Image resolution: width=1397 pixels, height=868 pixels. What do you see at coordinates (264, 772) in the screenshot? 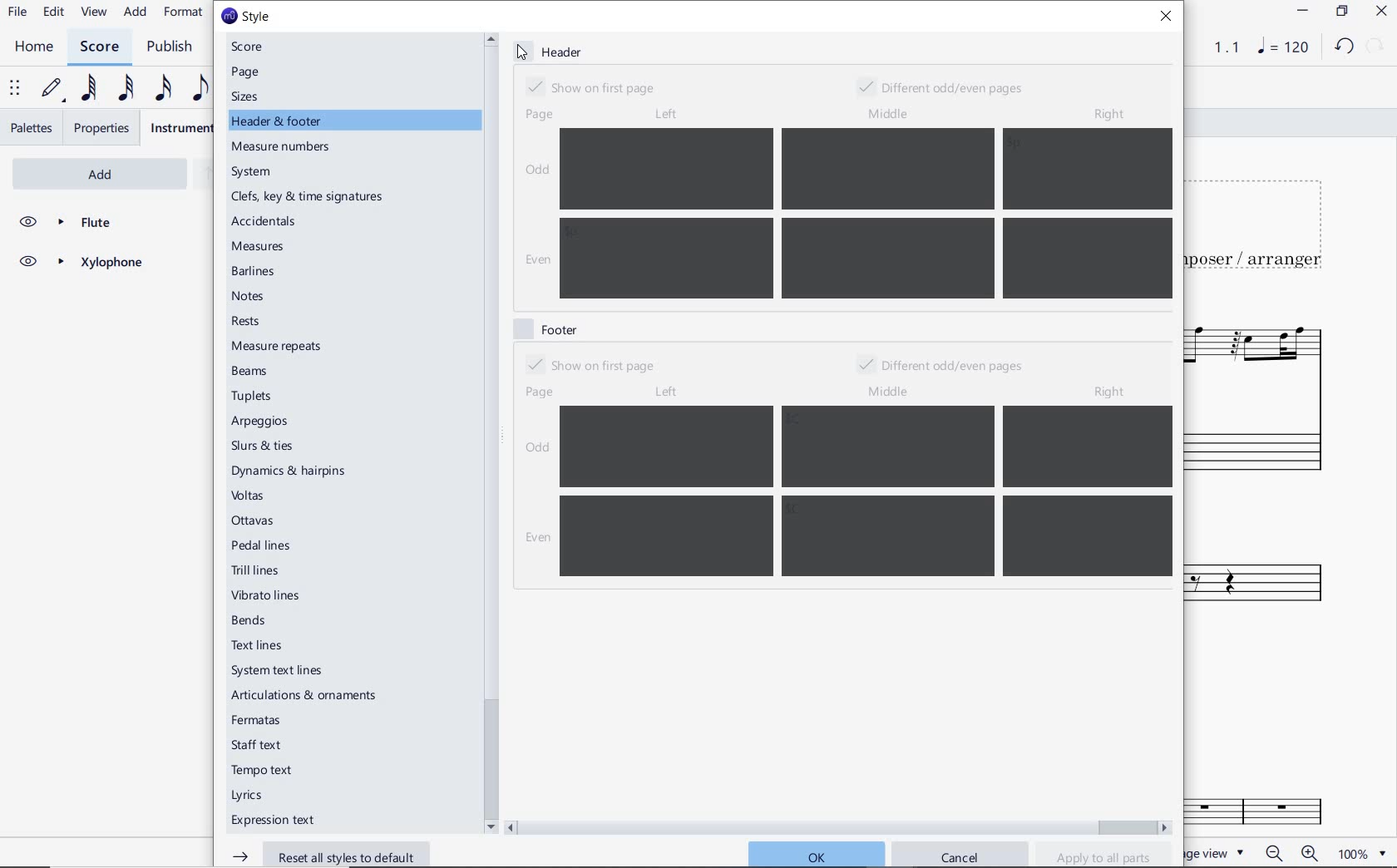
I see `tempo text` at bounding box center [264, 772].